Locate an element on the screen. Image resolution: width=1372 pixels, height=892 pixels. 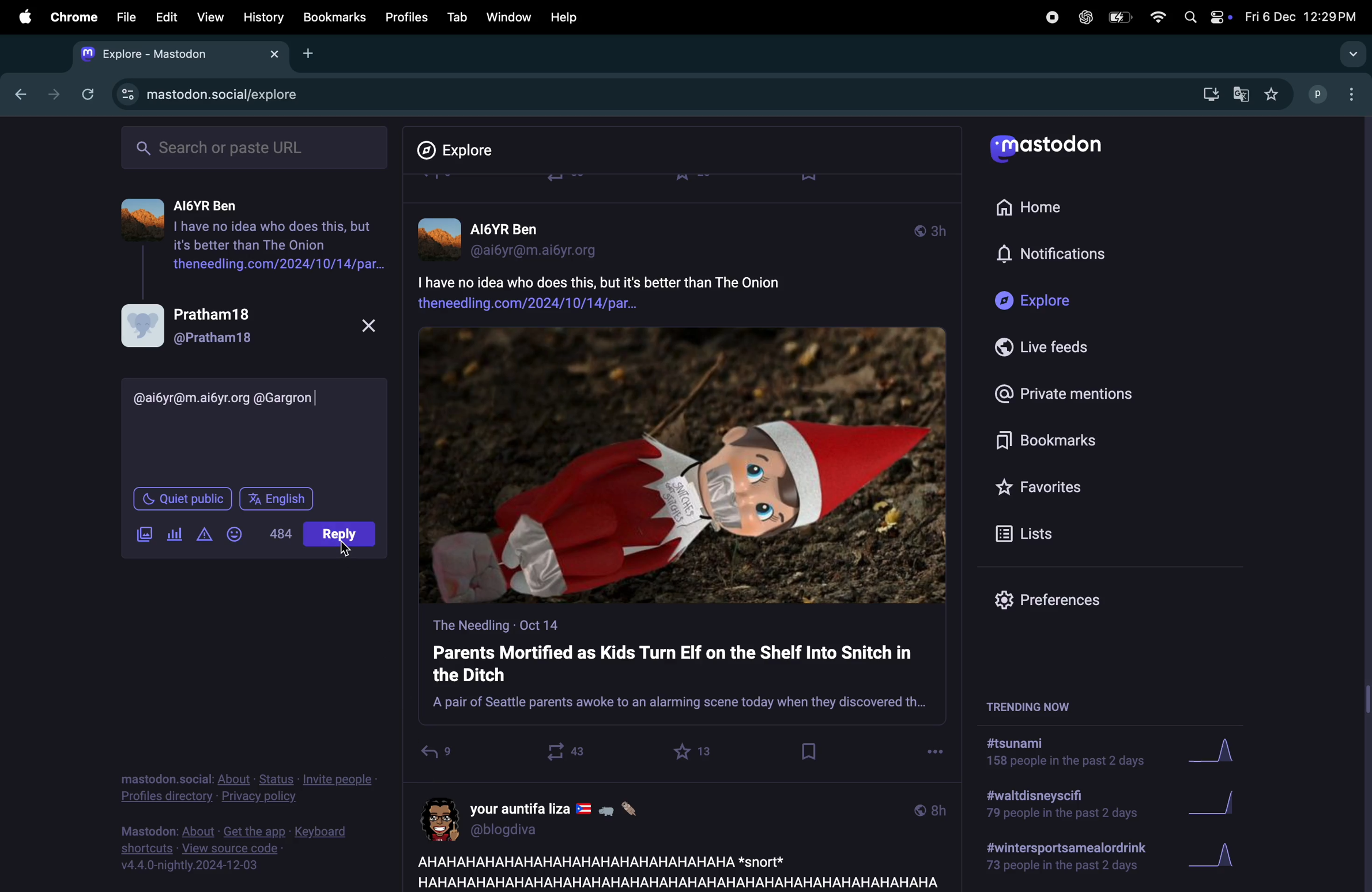
refresh is located at coordinates (85, 94).